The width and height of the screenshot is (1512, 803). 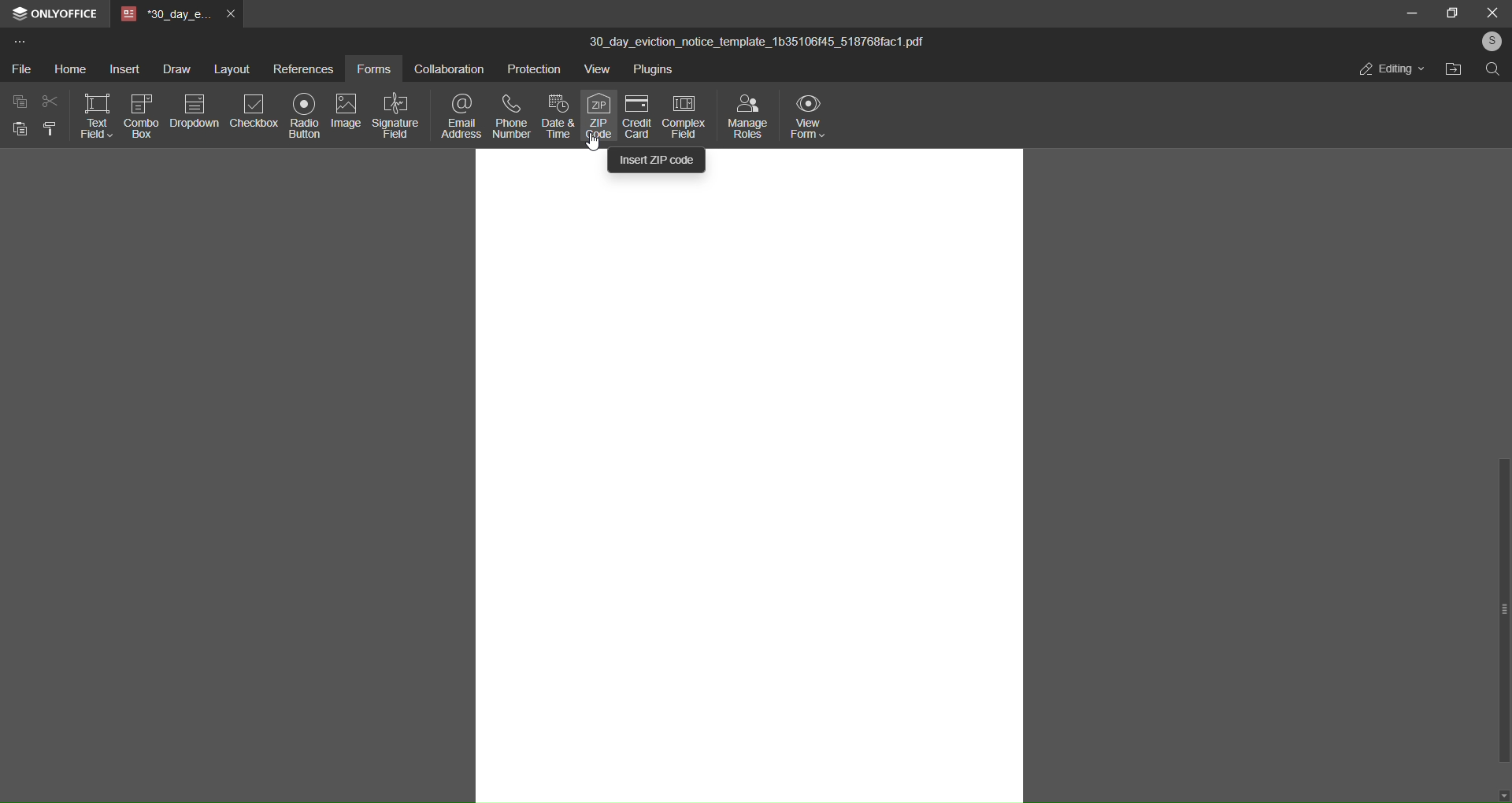 What do you see at coordinates (445, 68) in the screenshot?
I see `collaboration` at bounding box center [445, 68].